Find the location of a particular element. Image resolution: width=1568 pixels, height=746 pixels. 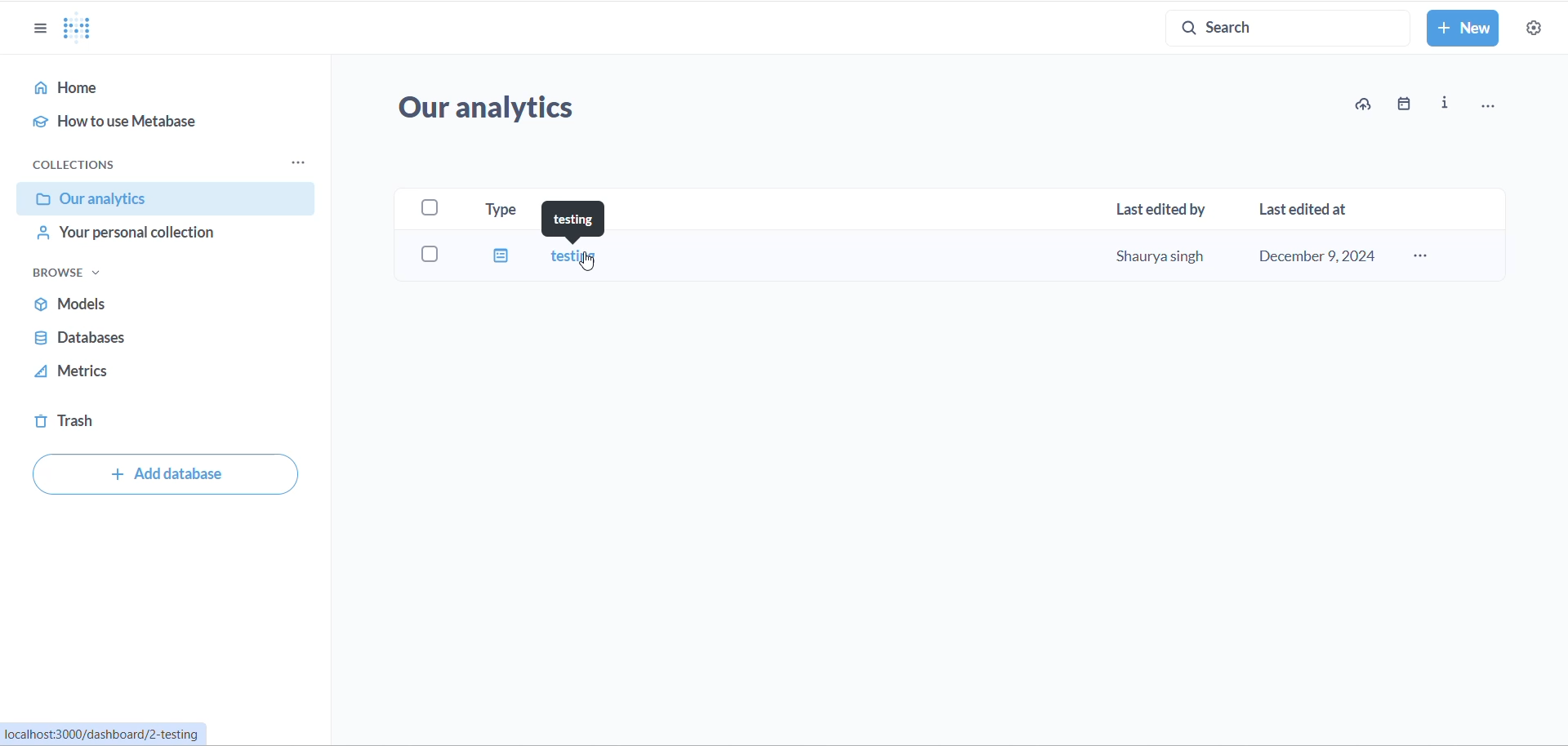

home is located at coordinates (164, 87).